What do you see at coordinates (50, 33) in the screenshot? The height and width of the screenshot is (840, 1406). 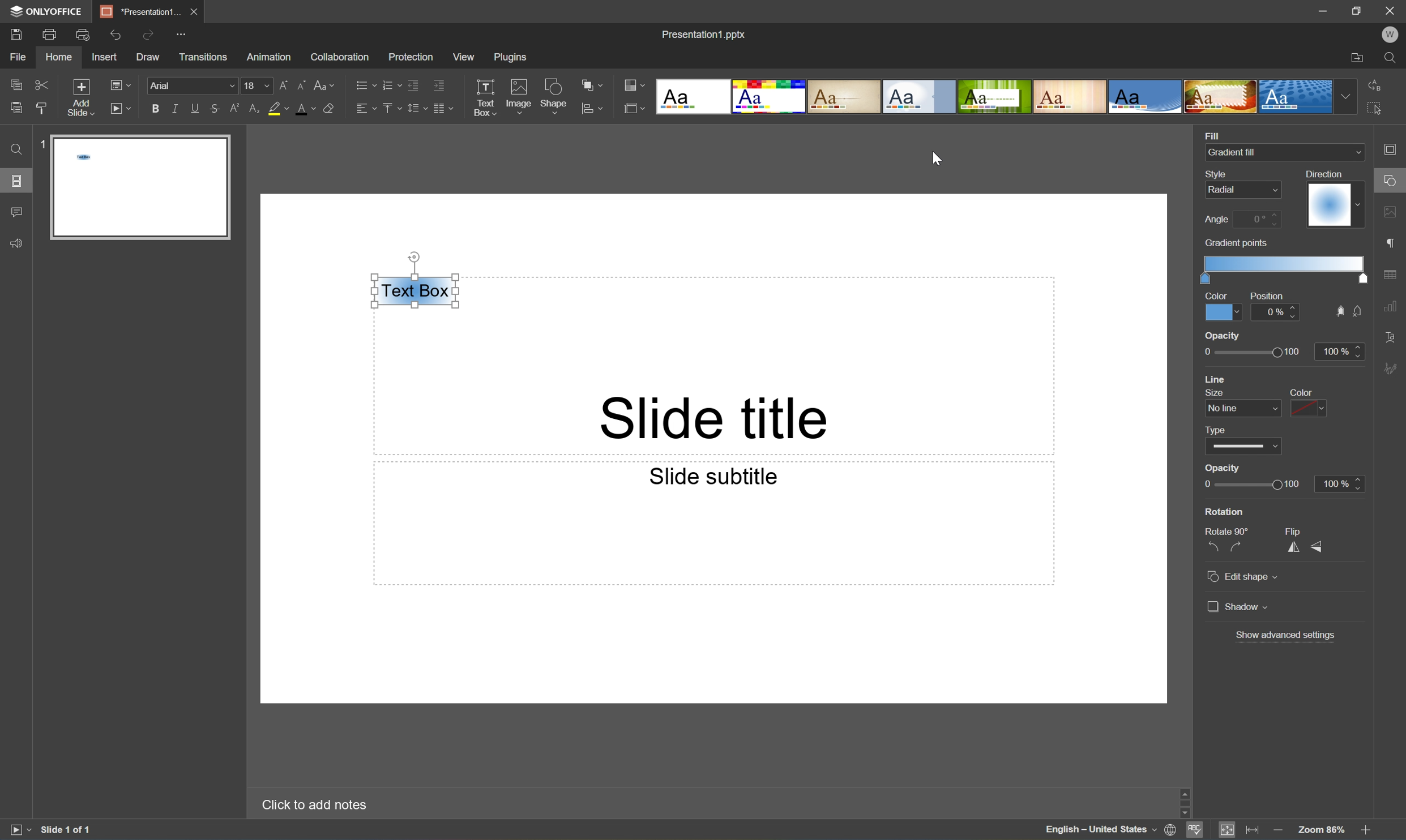 I see `Print file` at bounding box center [50, 33].